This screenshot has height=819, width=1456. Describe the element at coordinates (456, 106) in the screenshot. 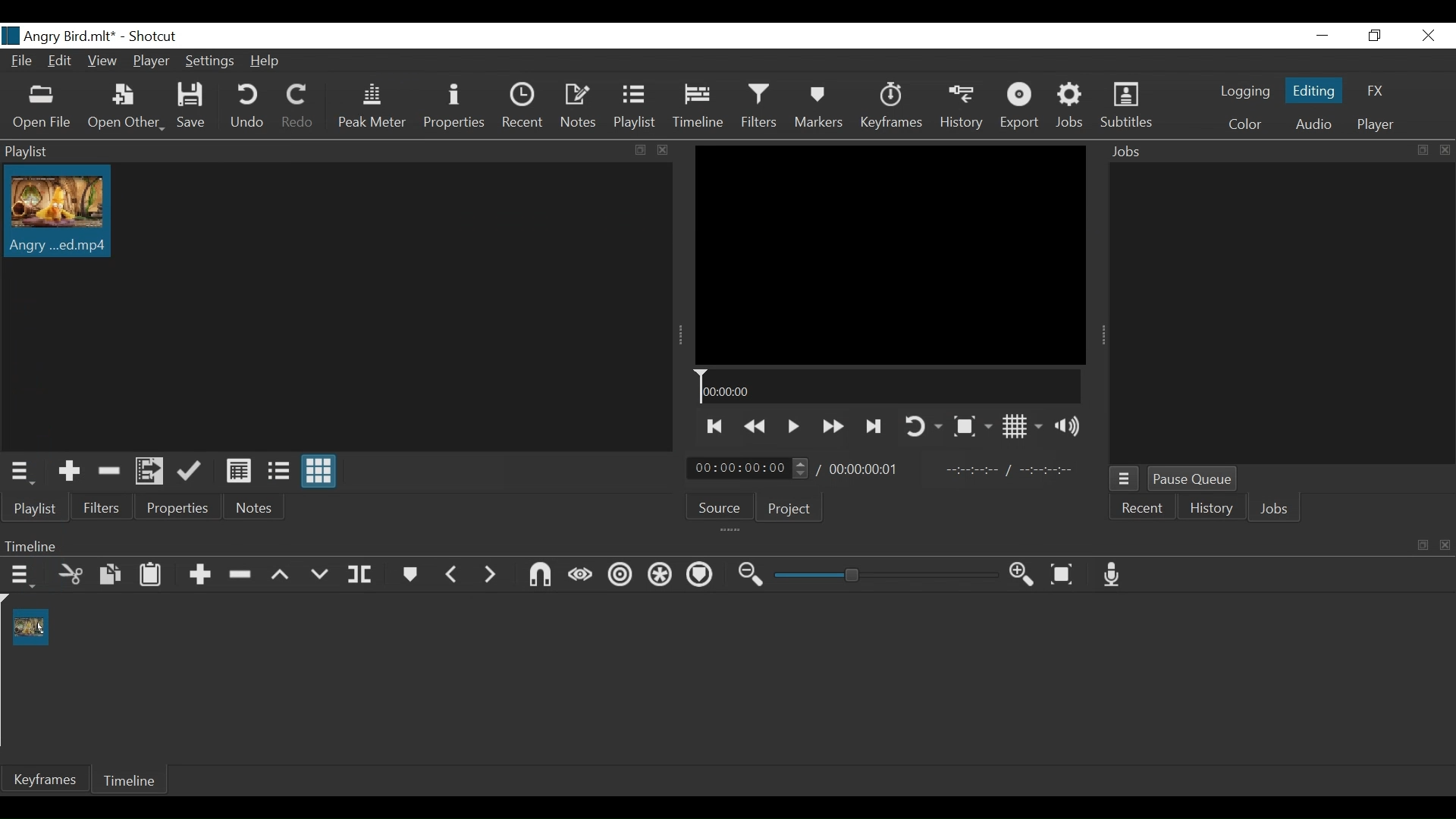

I see `Properties` at that location.